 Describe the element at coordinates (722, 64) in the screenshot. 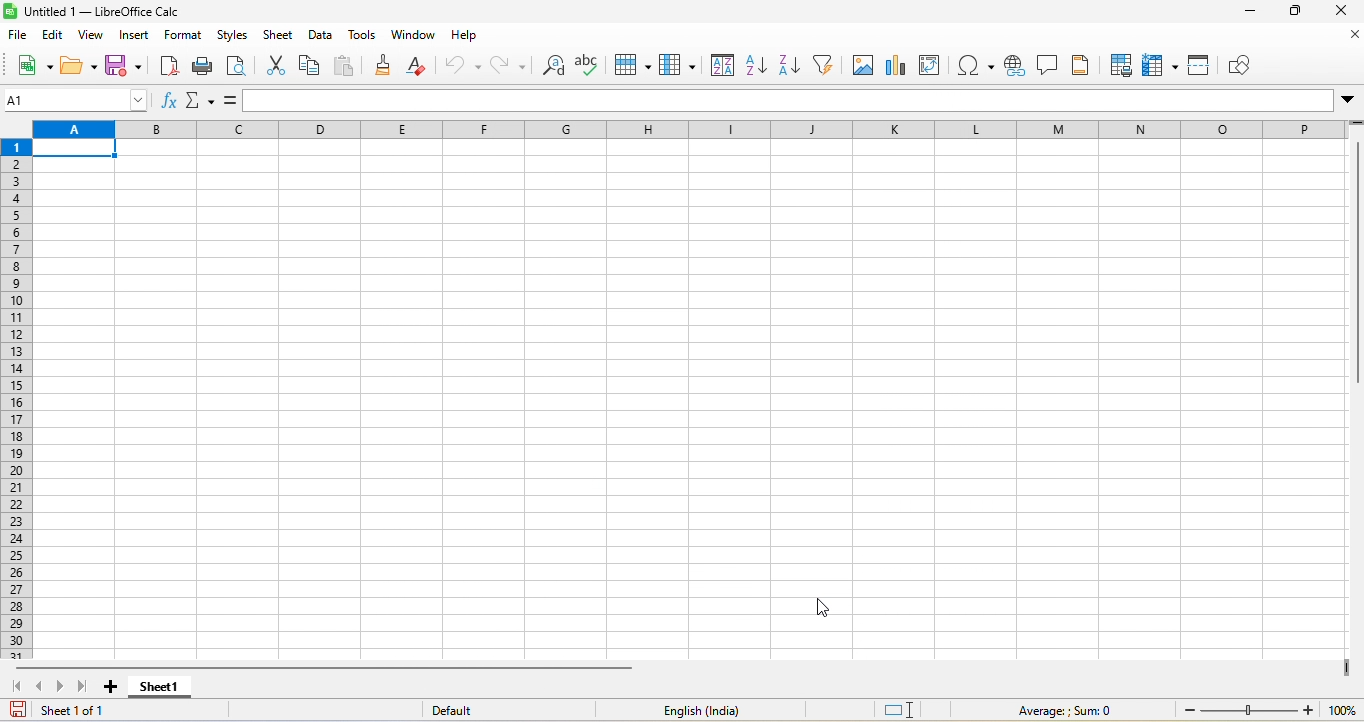

I see `sort` at that location.